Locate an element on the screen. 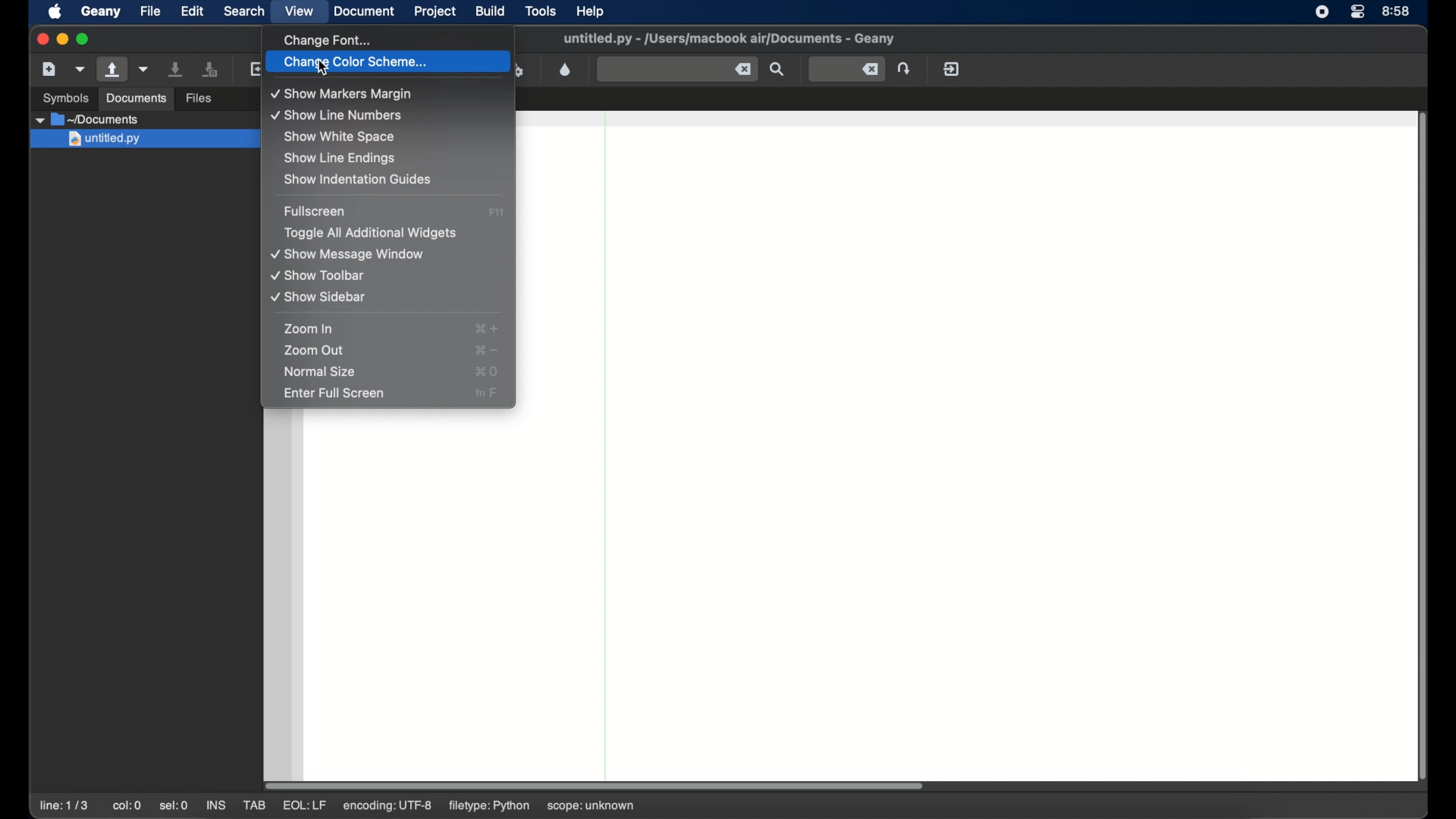 This screenshot has height=819, width=1456. zoom in is located at coordinates (309, 329).